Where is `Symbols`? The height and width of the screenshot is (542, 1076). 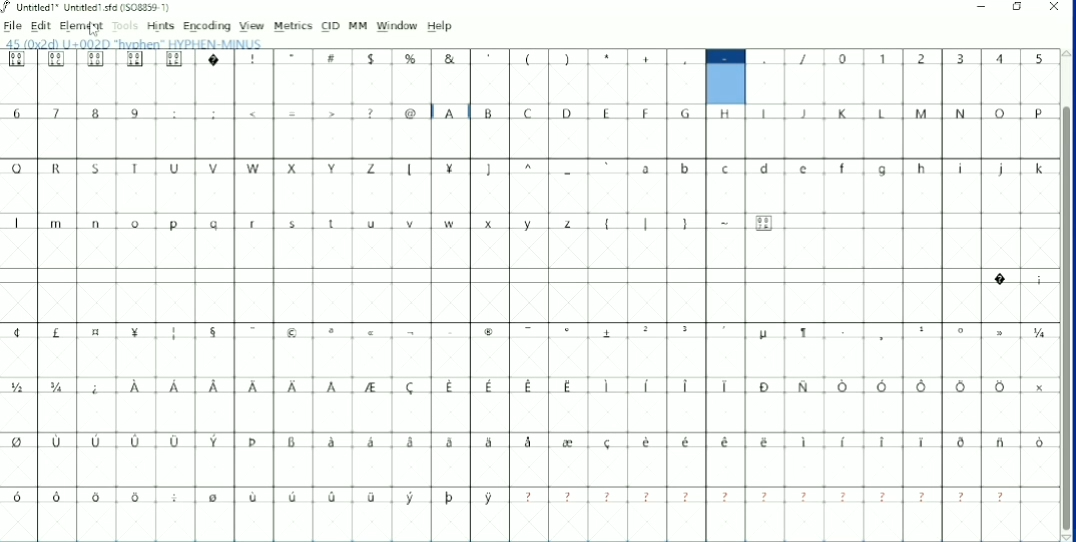
Symbols is located at coordinates (528, 386).